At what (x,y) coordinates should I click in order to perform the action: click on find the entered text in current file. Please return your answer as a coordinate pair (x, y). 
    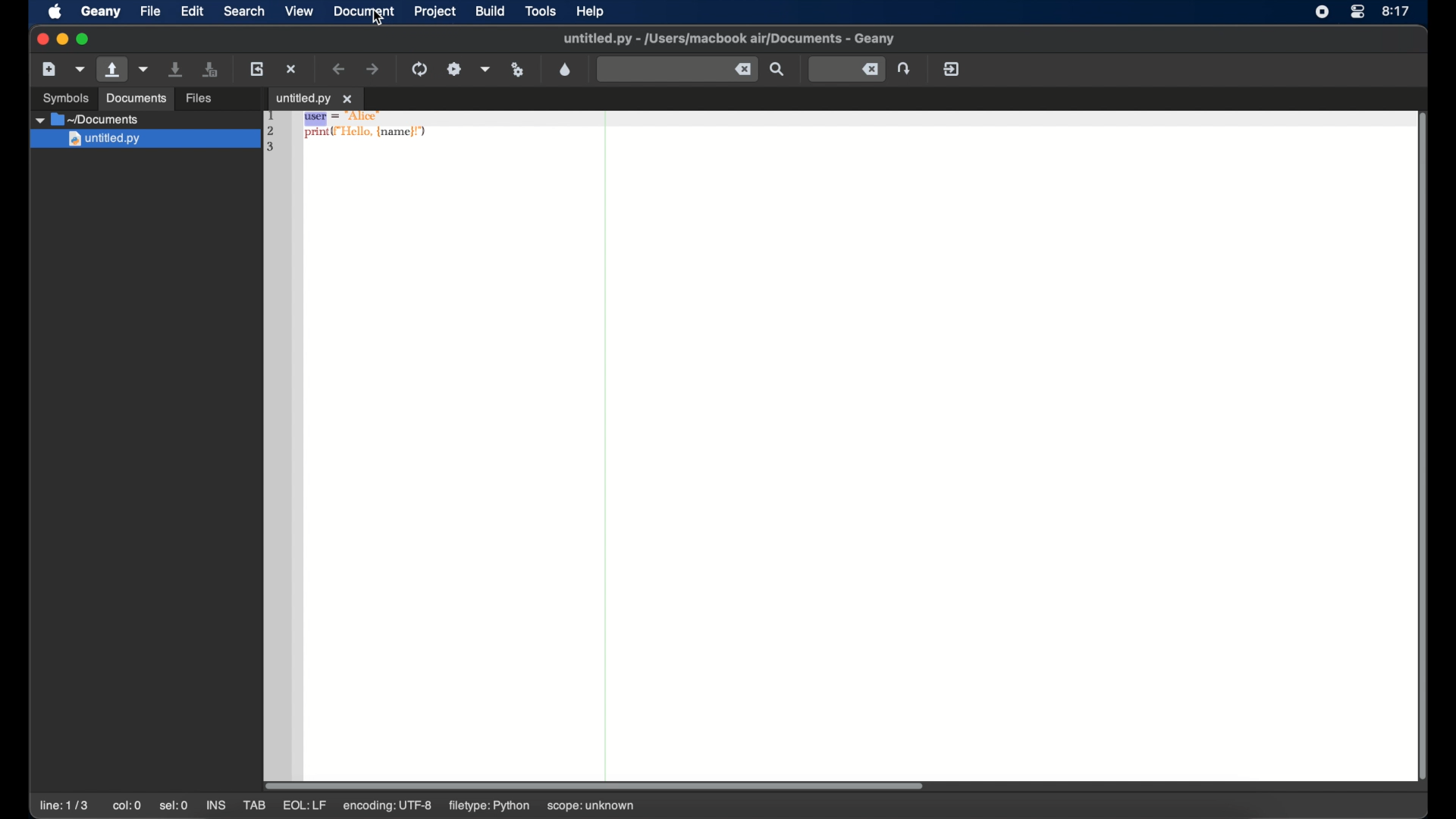
    Looking at the image, I should click on (777, 69).